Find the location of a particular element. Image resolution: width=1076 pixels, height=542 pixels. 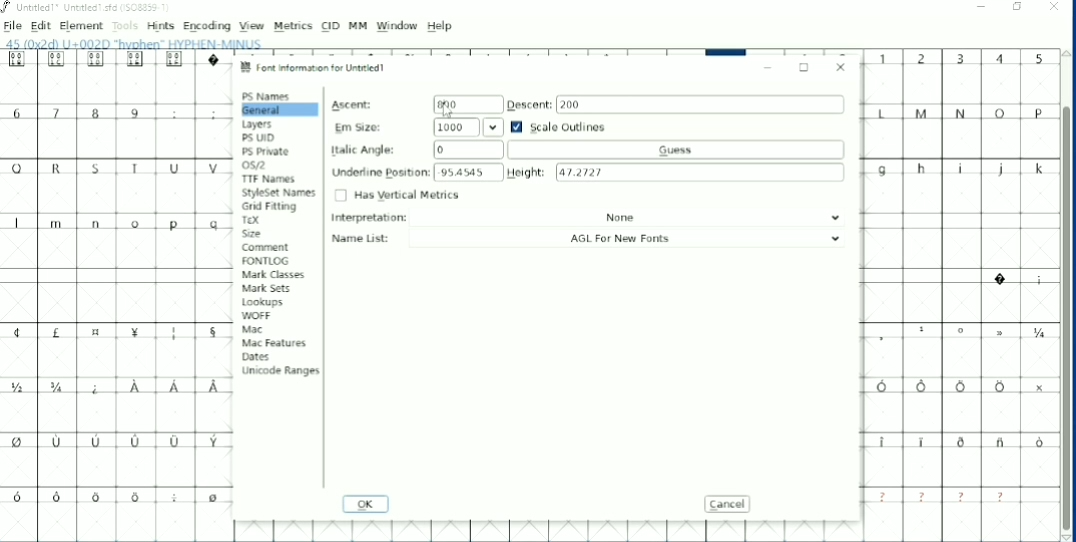

Help is located at coordinates (441, 26).